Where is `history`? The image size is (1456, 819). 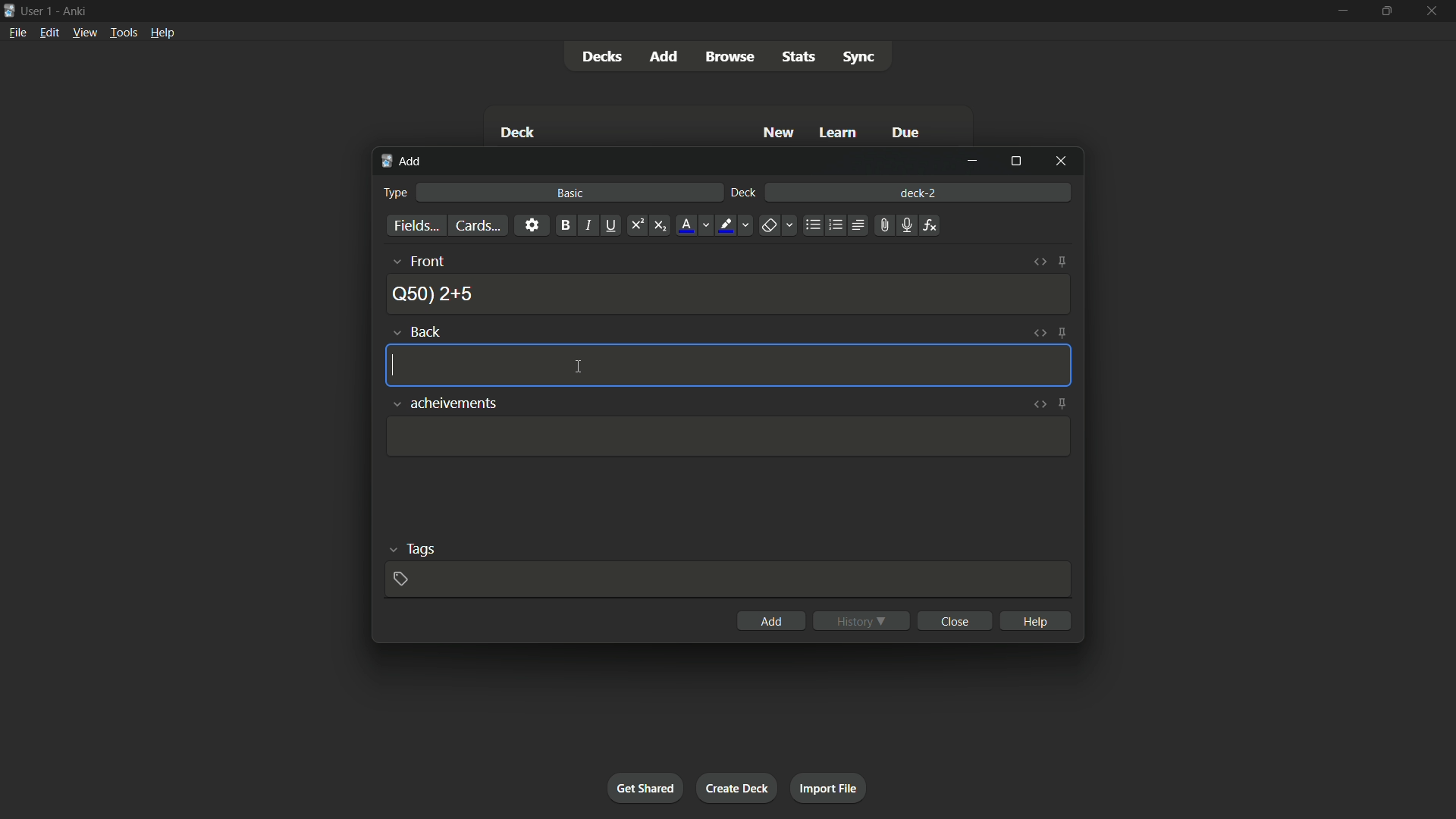 history is located at coordinates (861, 621).